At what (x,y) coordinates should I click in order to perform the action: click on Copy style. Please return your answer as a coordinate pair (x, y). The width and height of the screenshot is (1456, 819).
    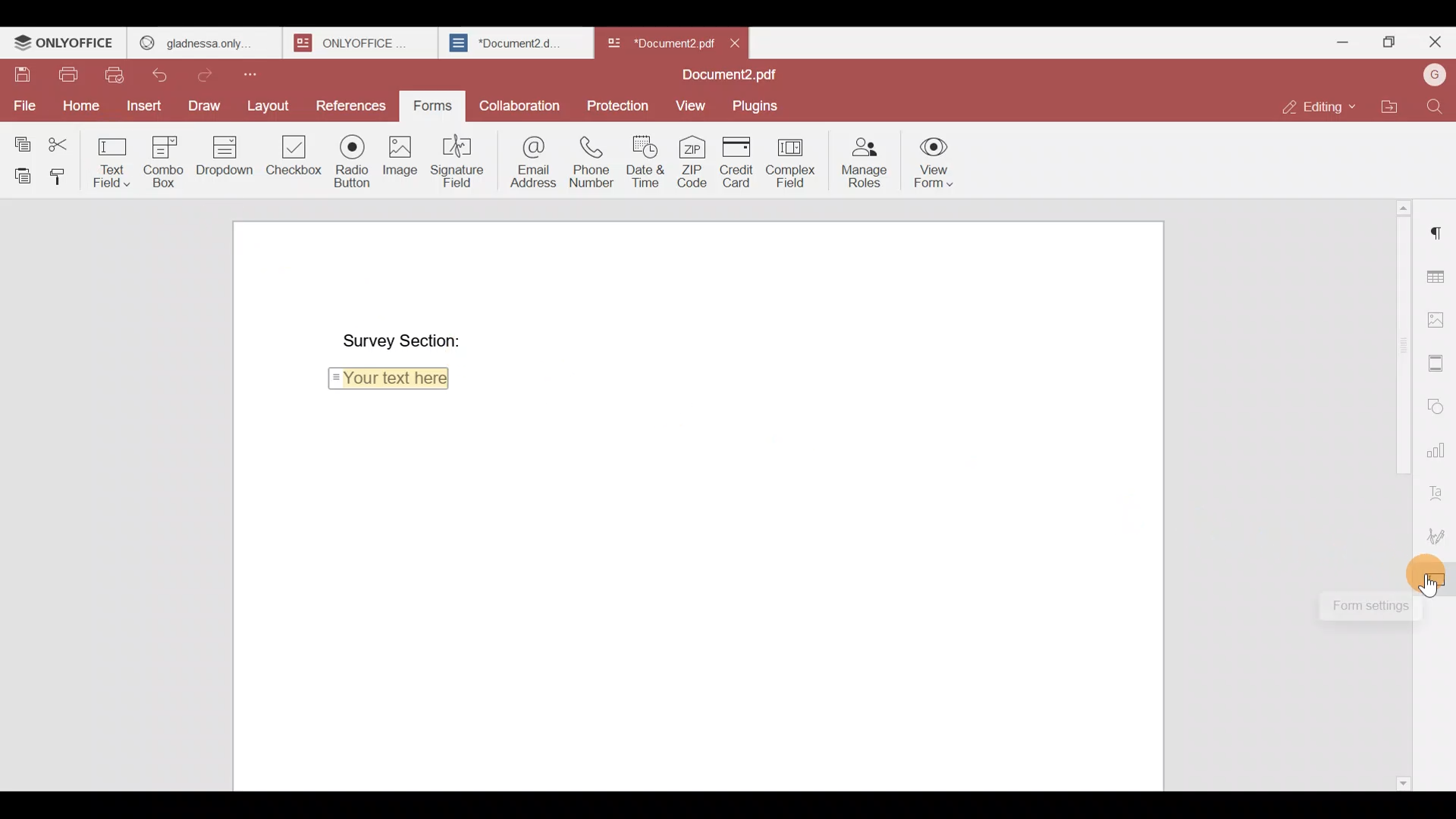
    Looking at the image, I should click on (59, 173).